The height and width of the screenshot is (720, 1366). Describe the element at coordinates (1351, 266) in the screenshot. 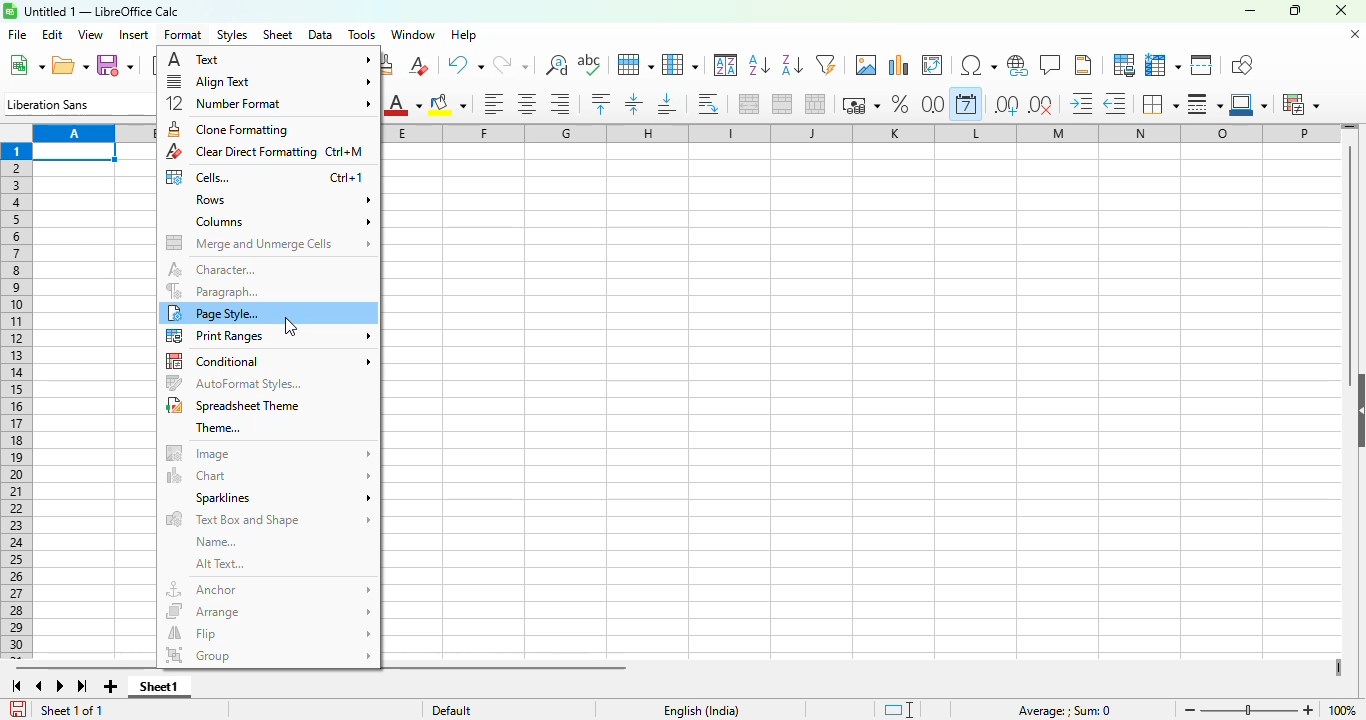

I see `vertical scroll bar` at that location.